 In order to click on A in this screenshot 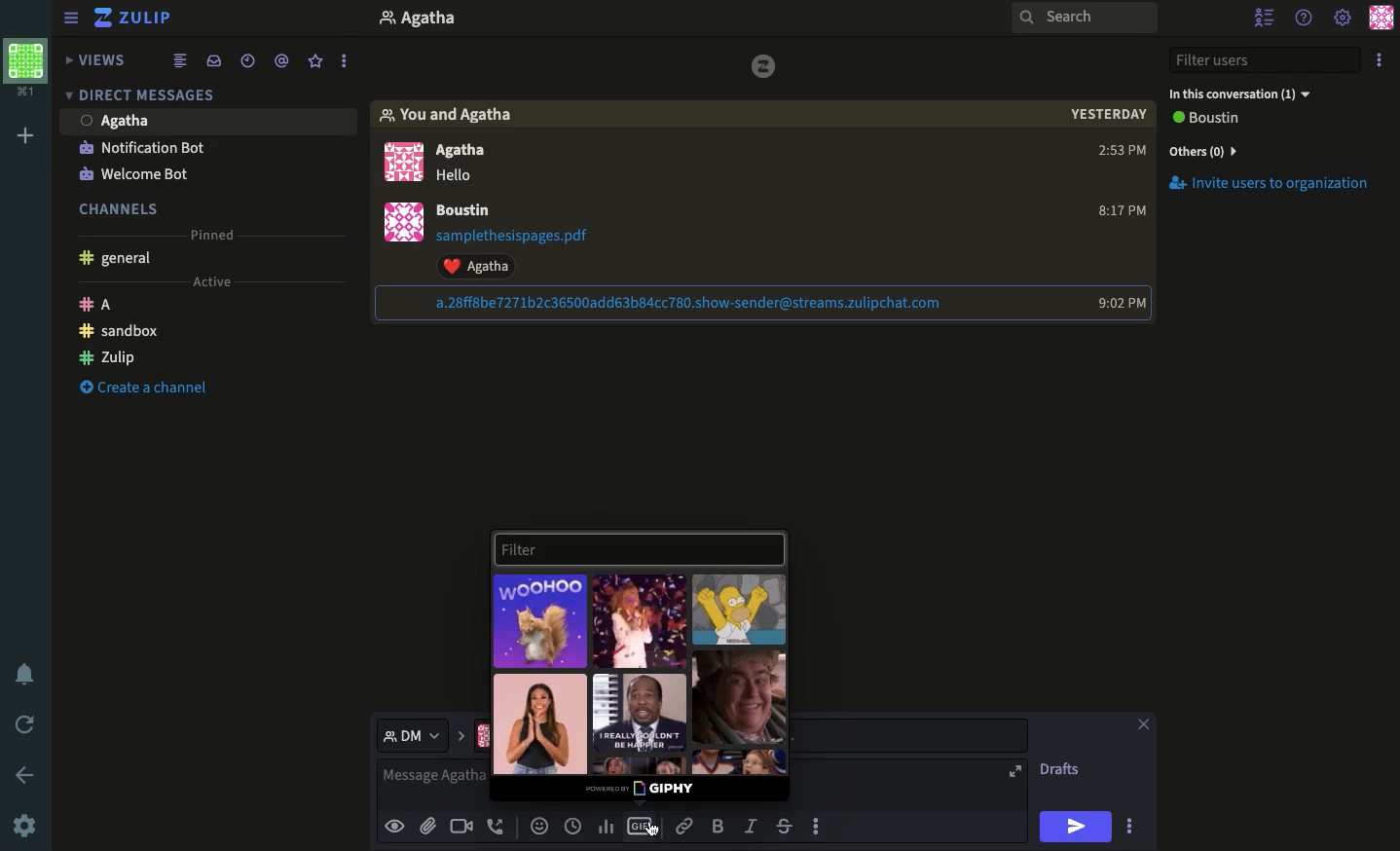, I will do `click(99, 304)`.